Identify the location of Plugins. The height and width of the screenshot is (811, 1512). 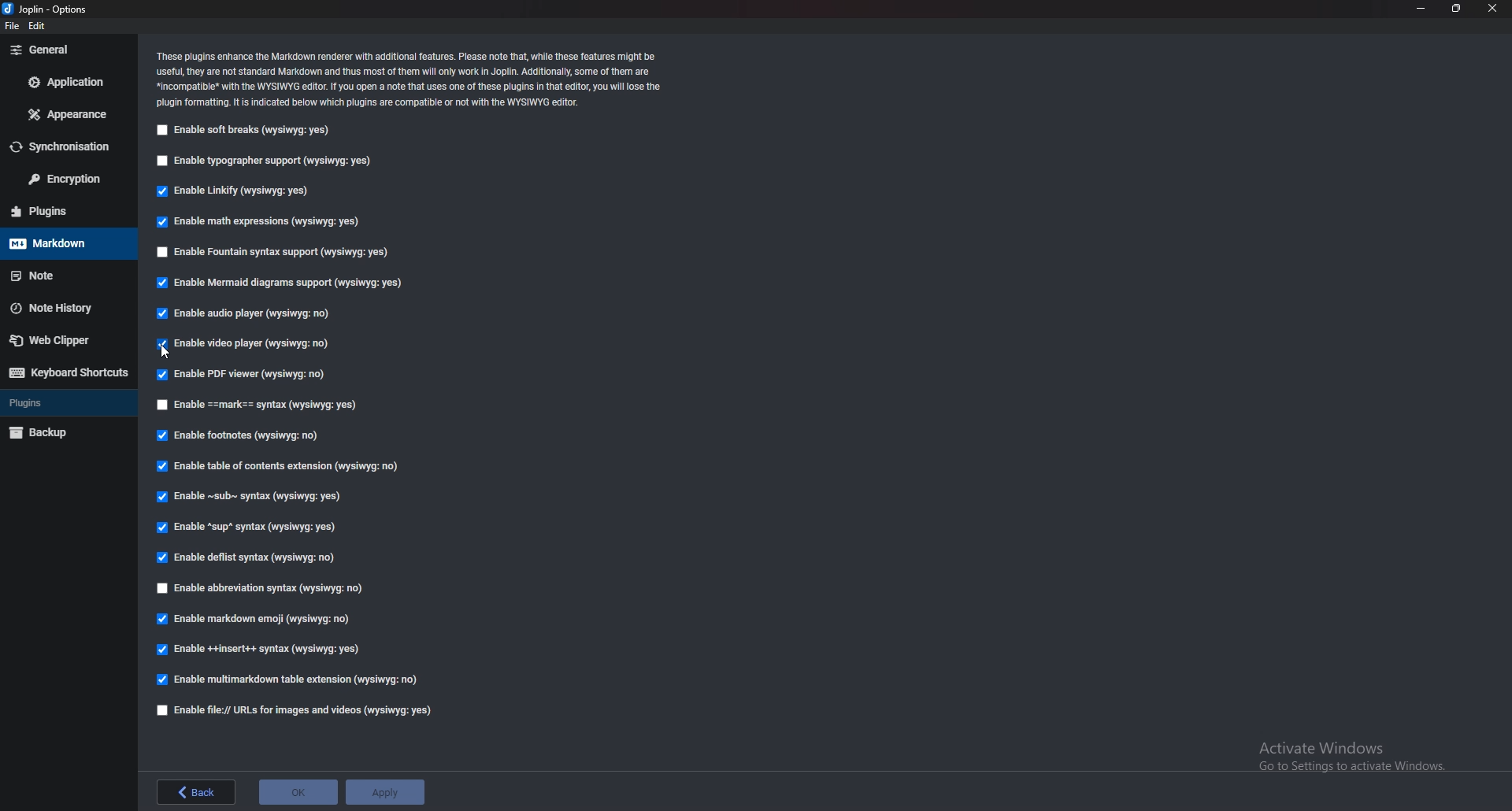
(59, 403).